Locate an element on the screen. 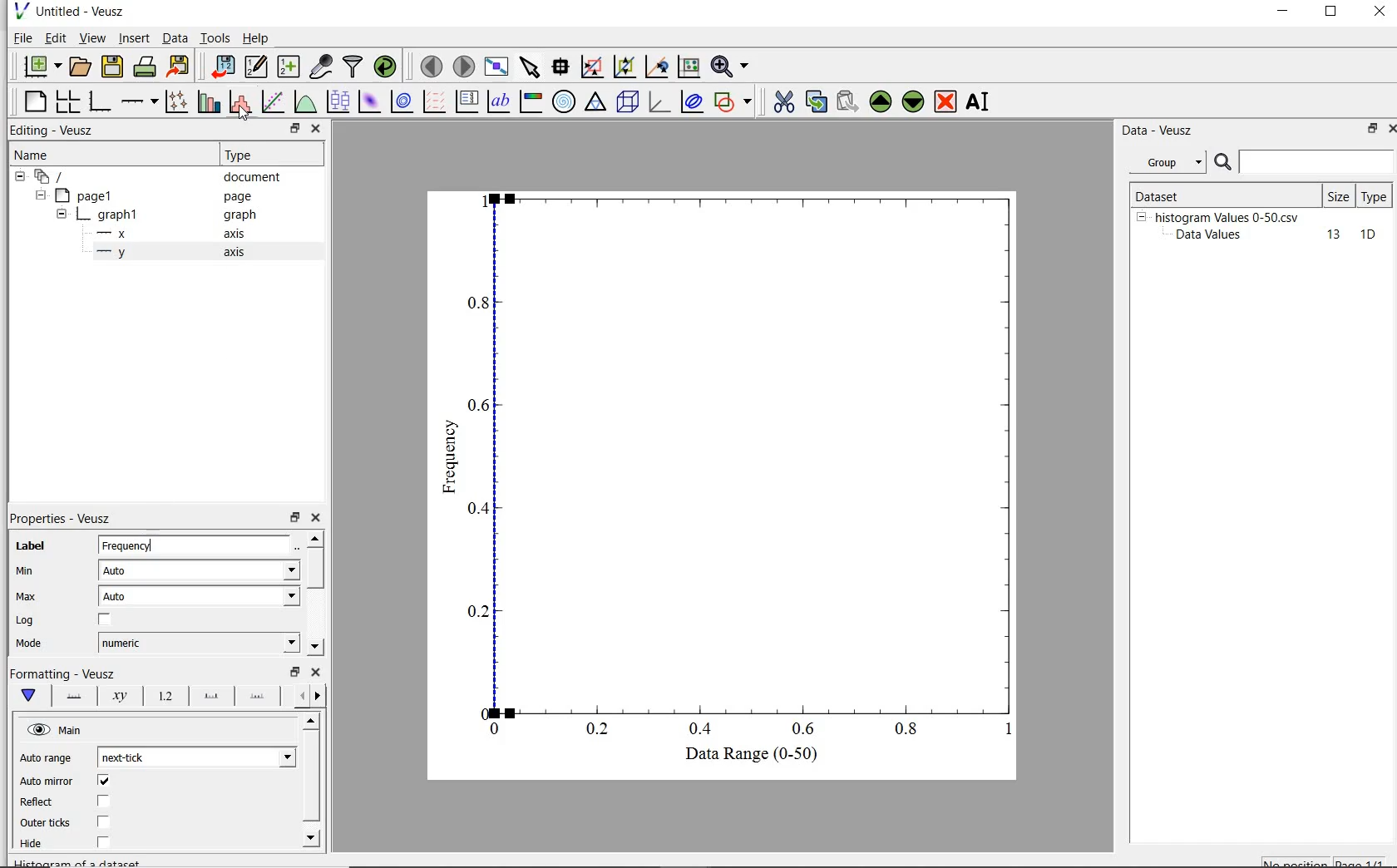  cursor is located at coordinates (243, 114).